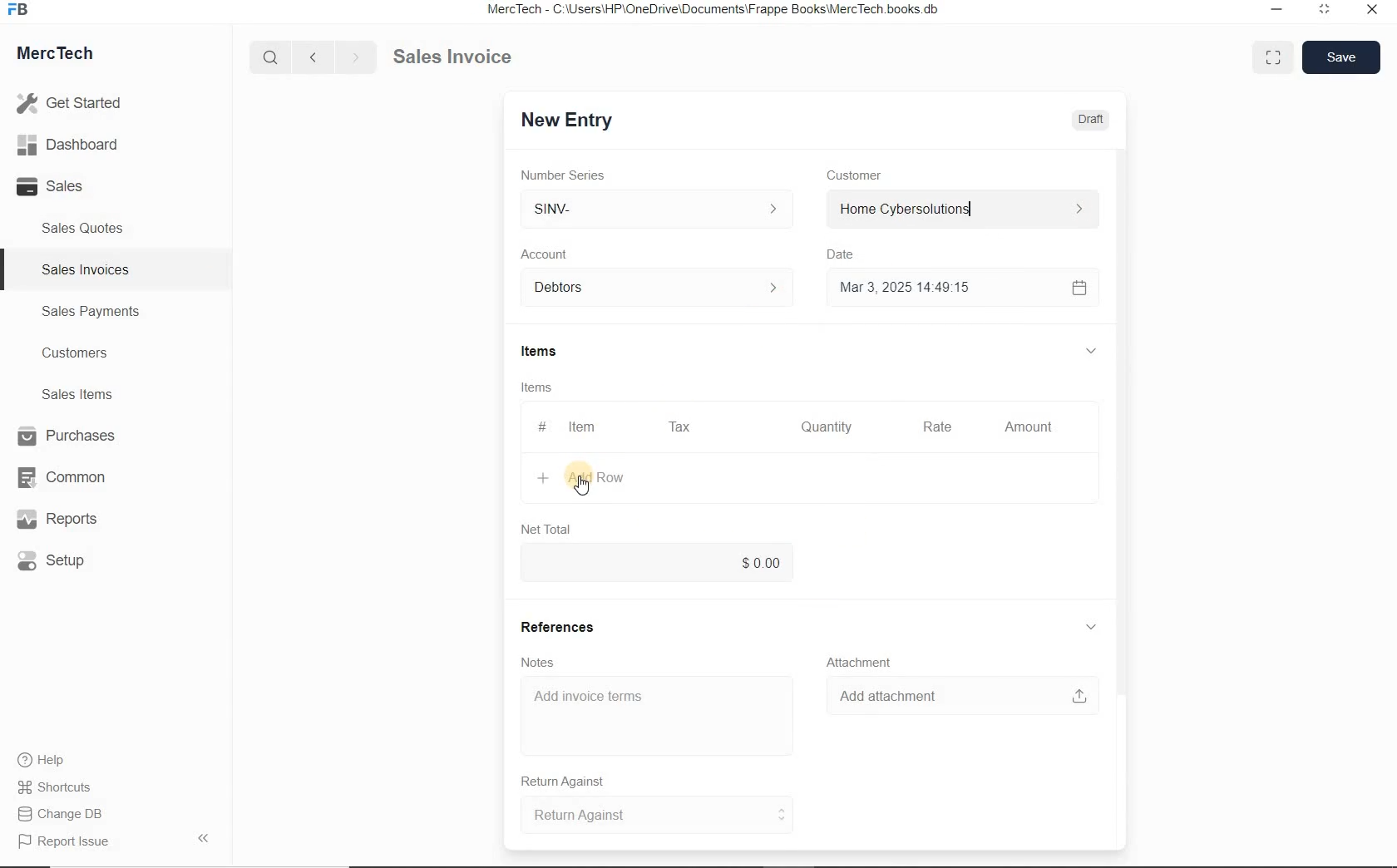 The width and height of the screenshot is (1397, 868). I want to click on Items, so click(548, 353).